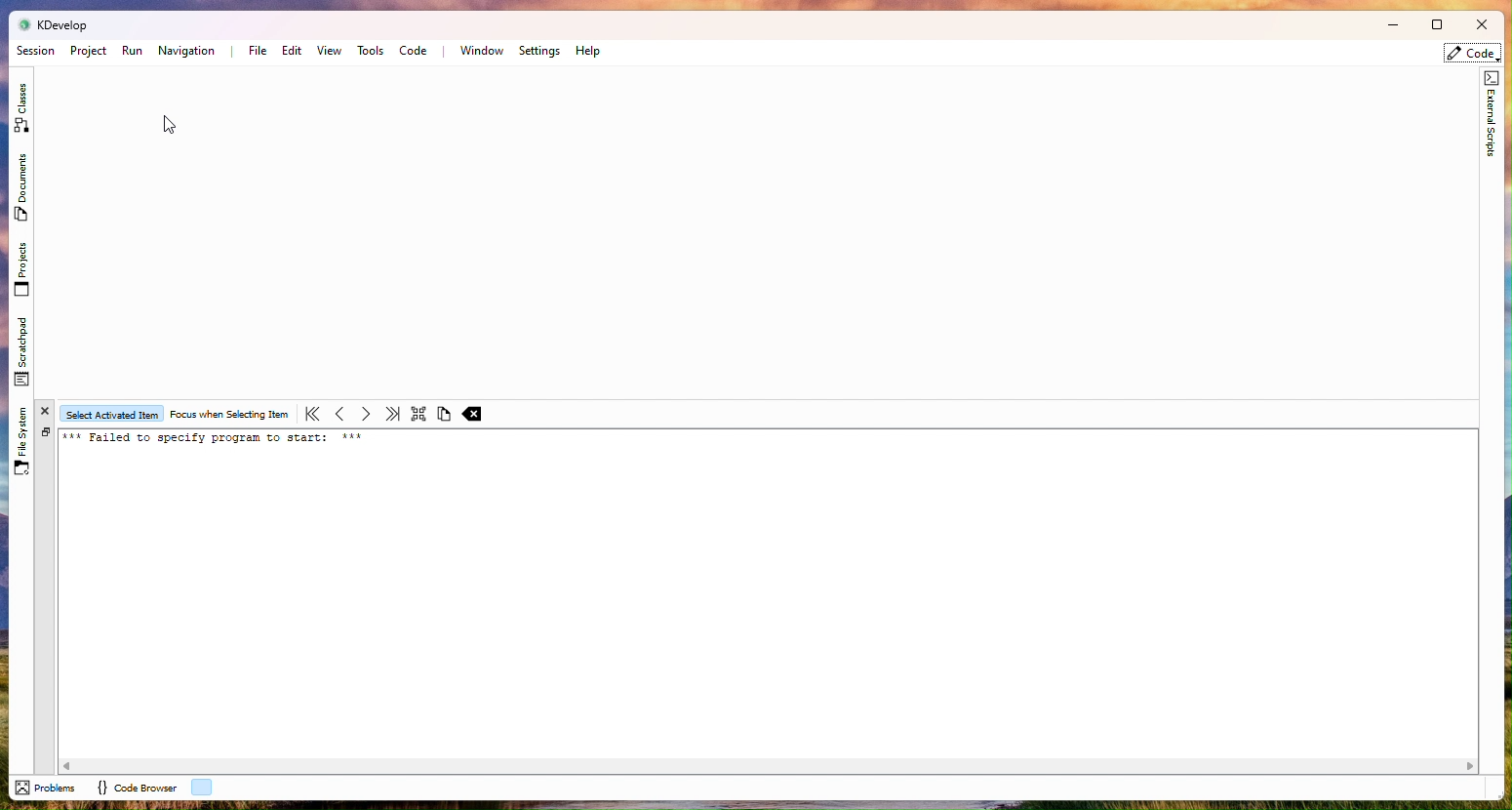 Image resolution: width=1512 pixels, height=810 pixels. What do you see at coordinates (444, 416) in the screenshot?
I see `Copy` at bounding box center [444, 416].